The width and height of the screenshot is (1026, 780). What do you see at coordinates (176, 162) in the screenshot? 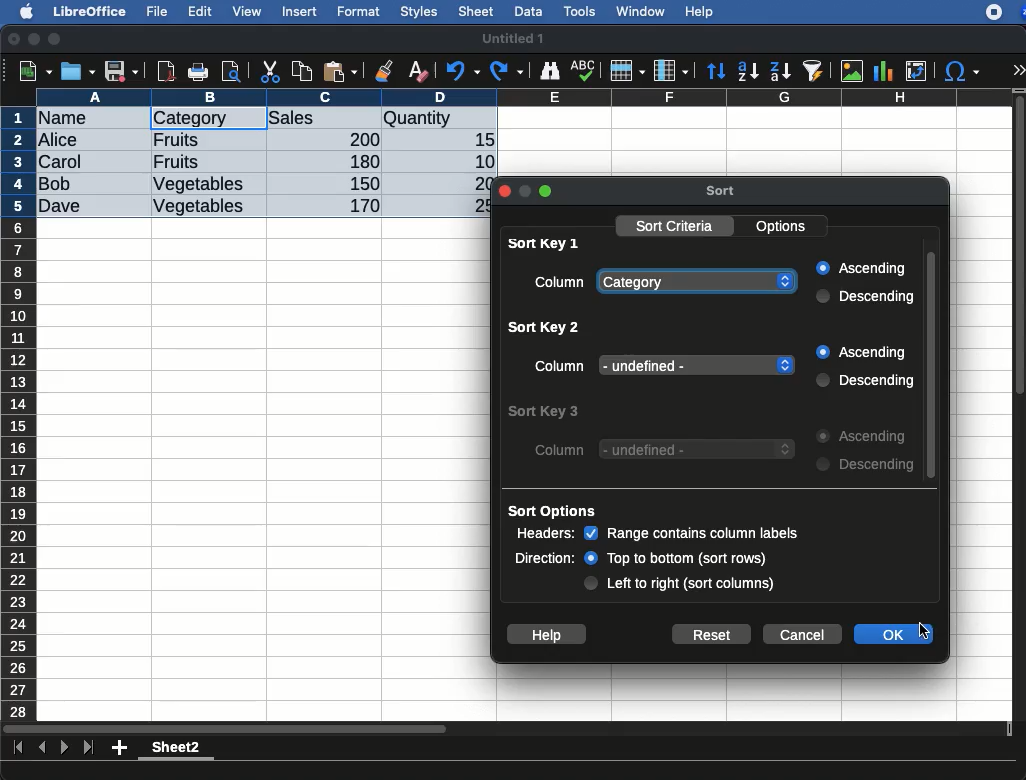
I see `Fruits` at bounding box center [176, 162].